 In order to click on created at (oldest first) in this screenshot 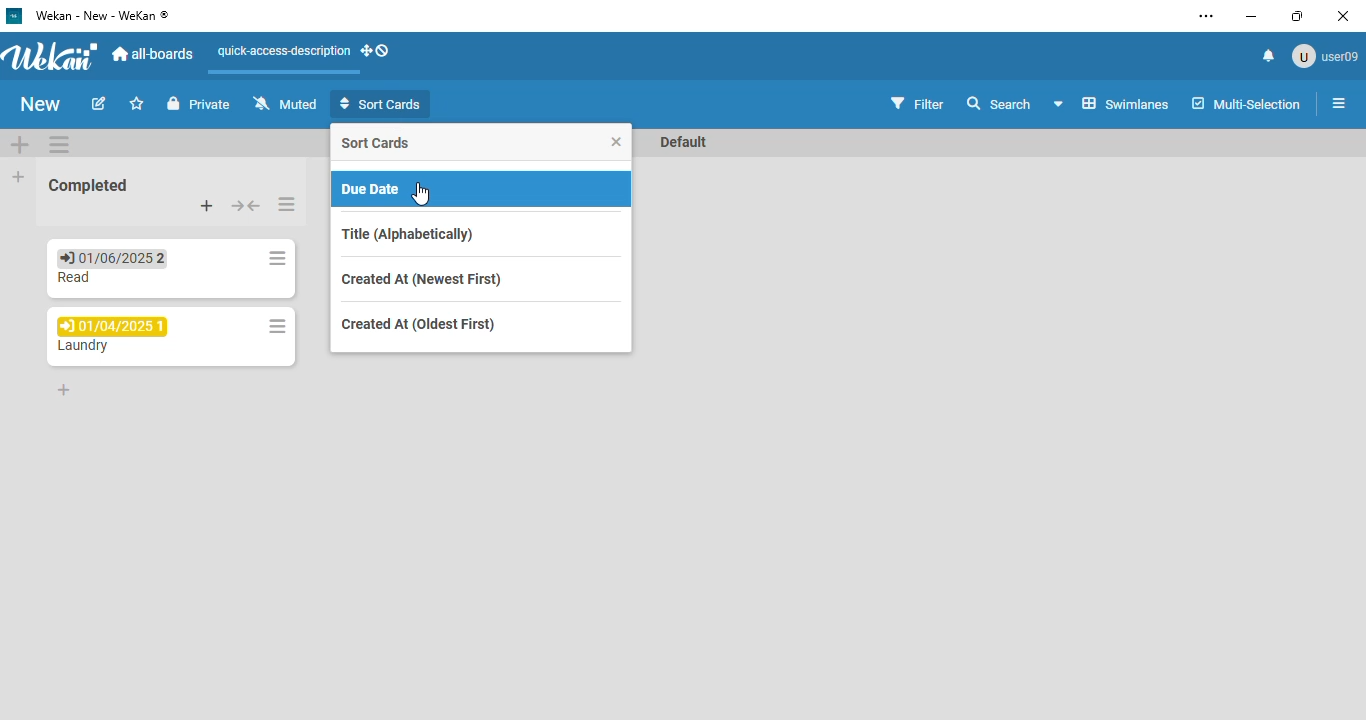, I will do `click(418, 324)`.